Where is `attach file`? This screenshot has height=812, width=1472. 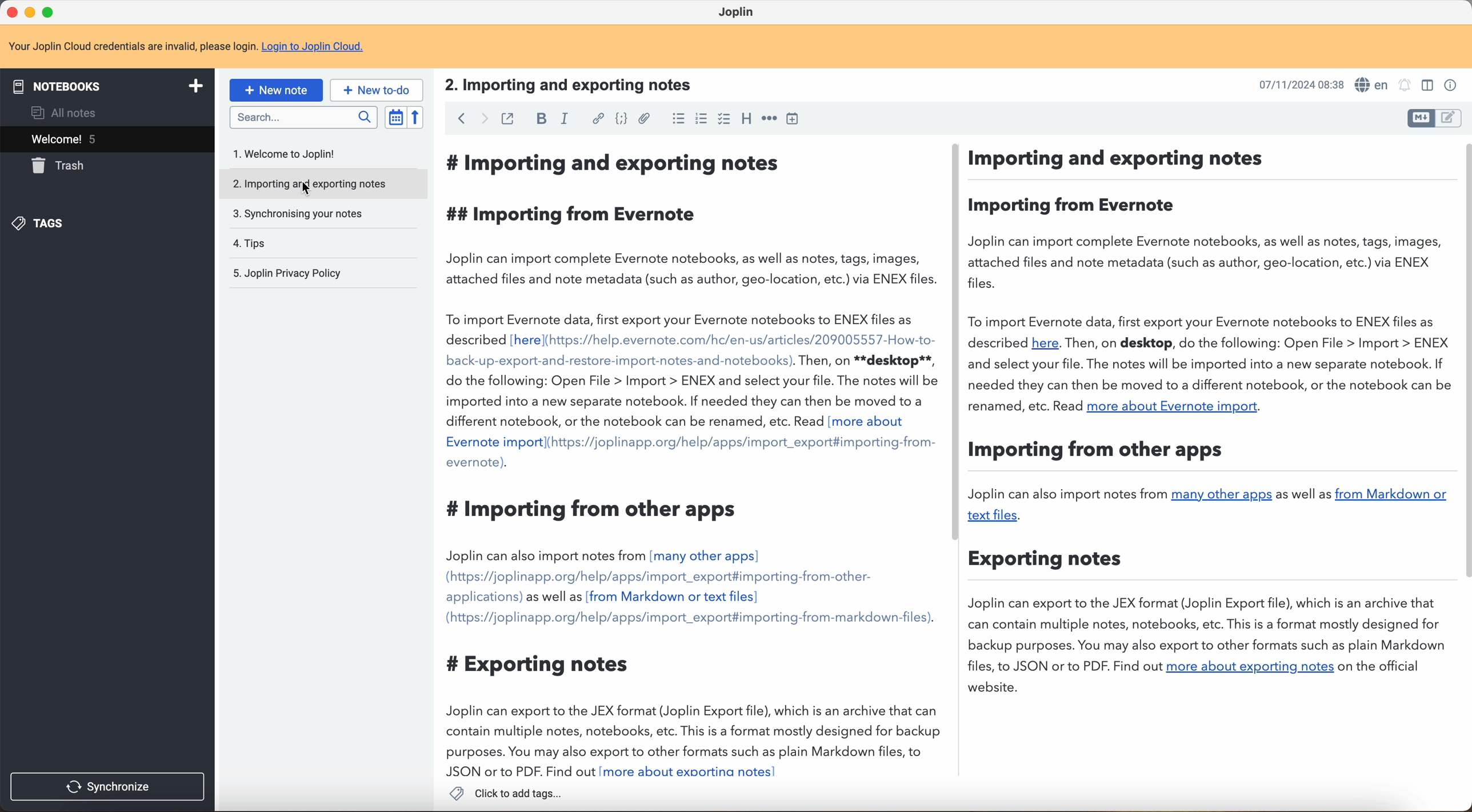
attach file is located at coordinates (644, 118).